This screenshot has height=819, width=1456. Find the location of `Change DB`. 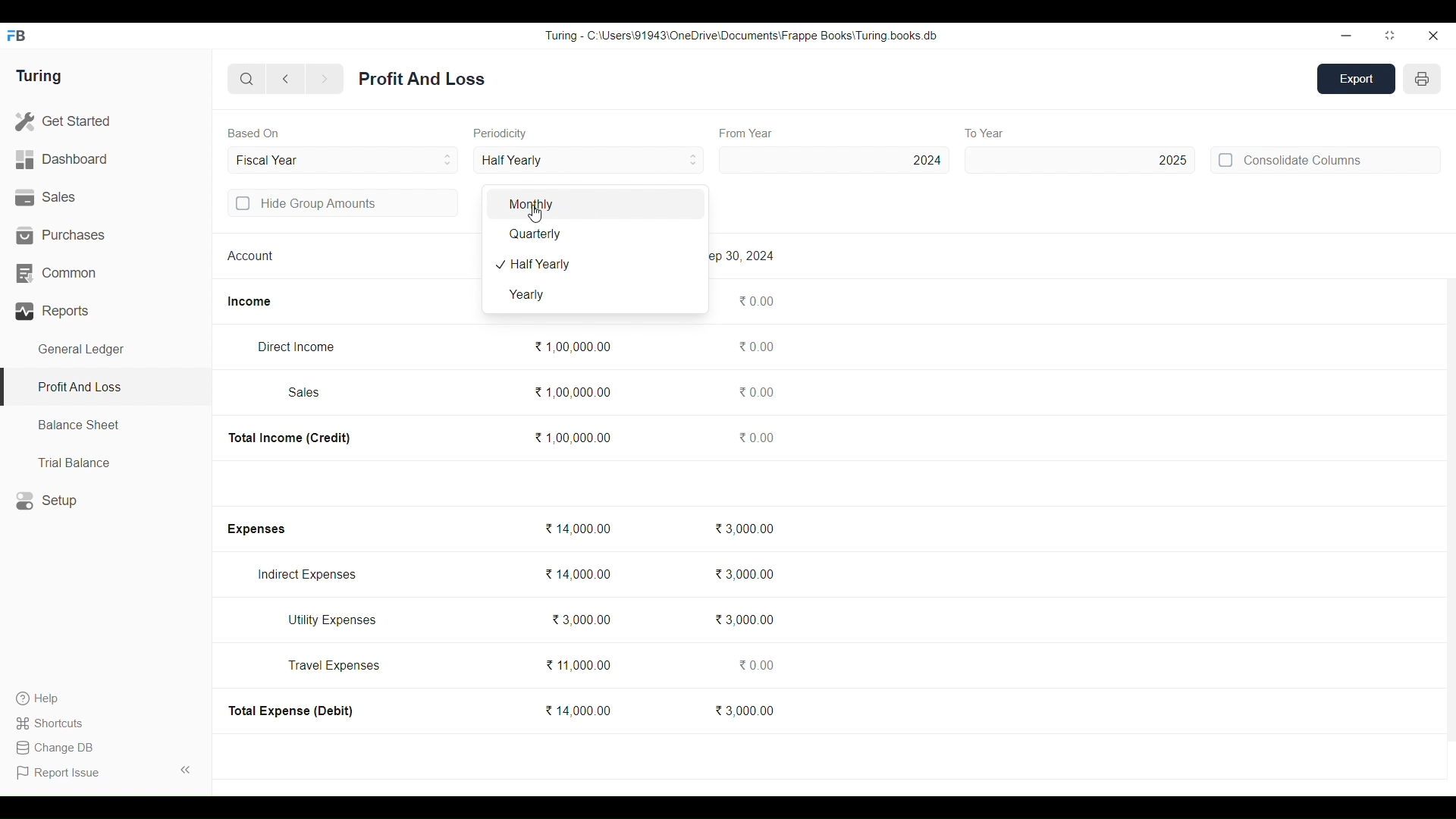

Change DB is located at coordinates (54, 748).